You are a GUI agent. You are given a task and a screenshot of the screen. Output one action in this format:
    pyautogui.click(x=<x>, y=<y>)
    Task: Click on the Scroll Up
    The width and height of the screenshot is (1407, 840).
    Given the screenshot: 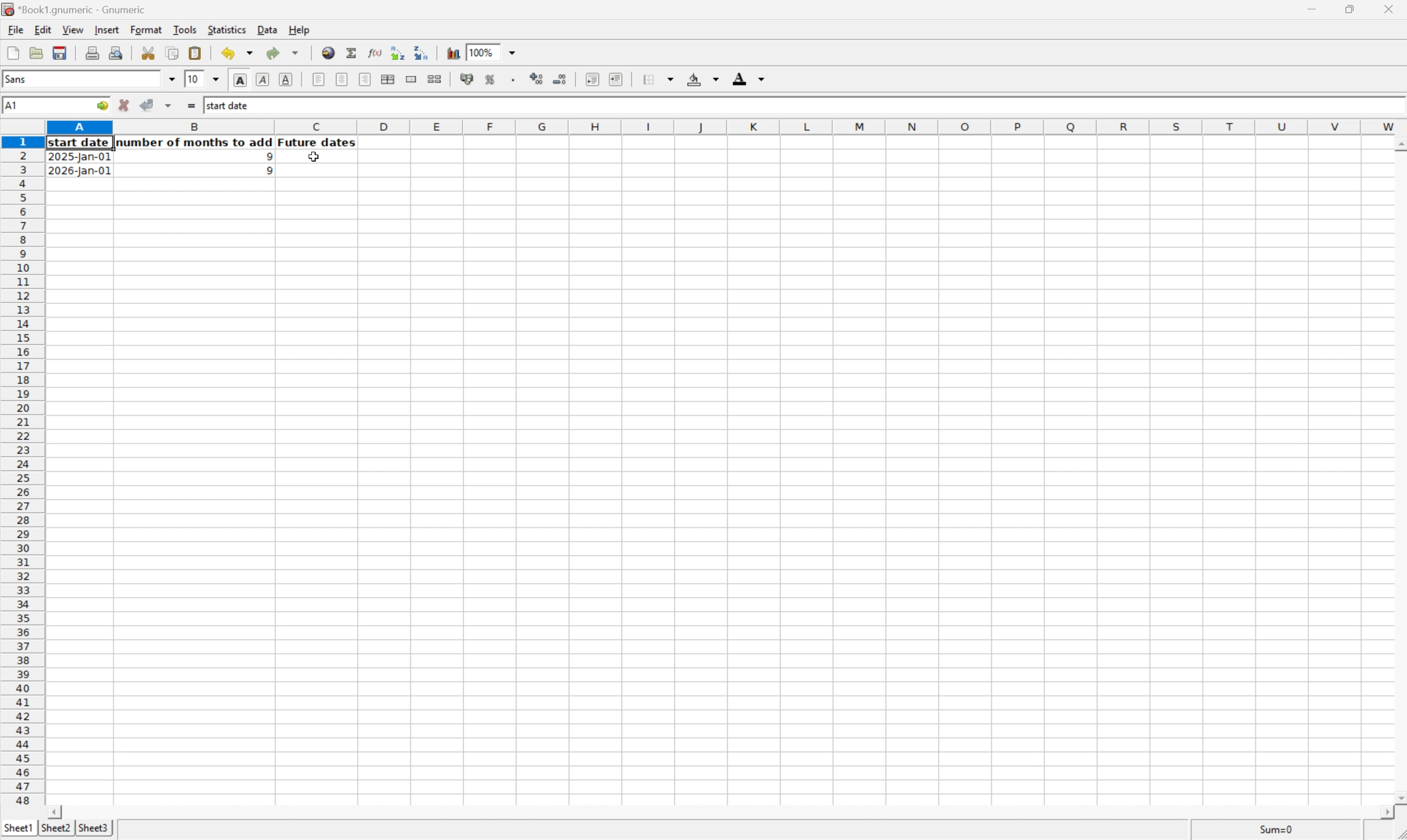 What is the action you would take?
    pyautogui.click(x=1398, y=143)
    